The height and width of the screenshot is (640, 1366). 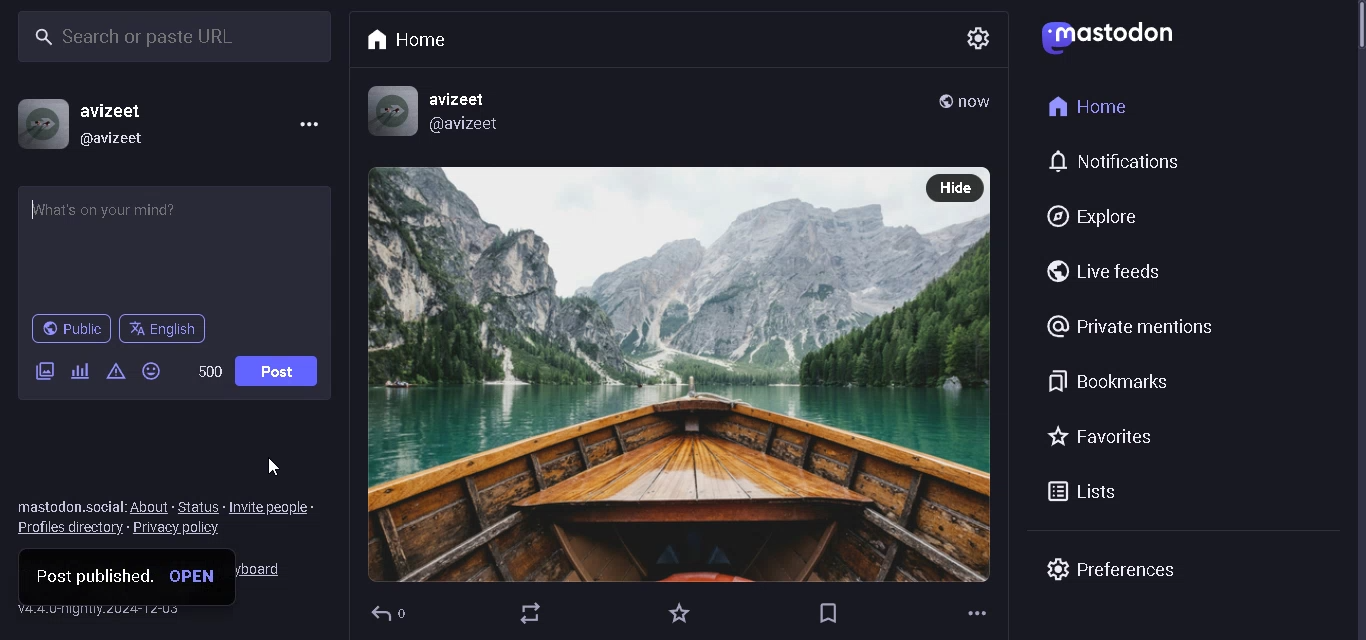 What do you see at coordinates (308, 128) in the screenshot?
I see `menu` at bounding box center [308, 128].